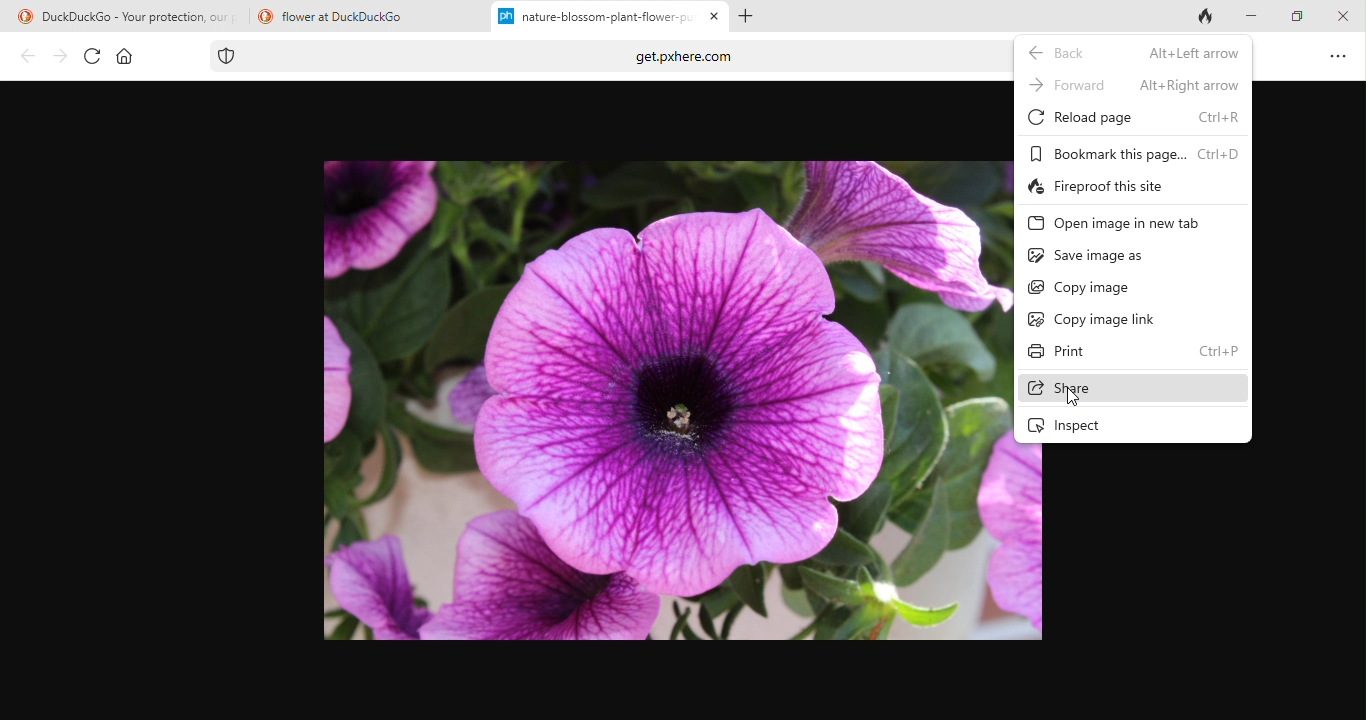 The height and width of the screenshot is (720, 1366). I want to click on open image in new tab, so click(1119, 225).